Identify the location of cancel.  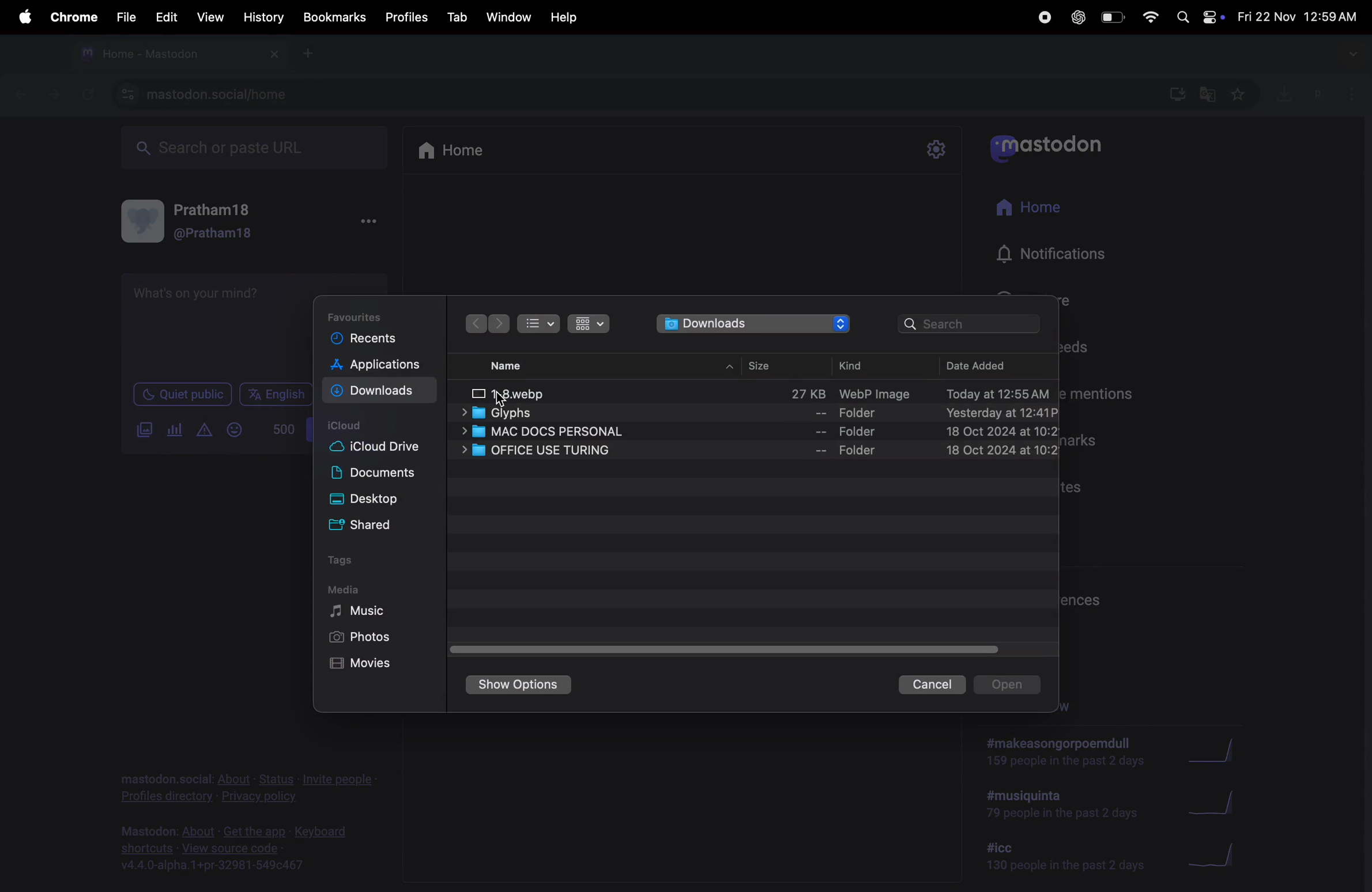
(935, 685).